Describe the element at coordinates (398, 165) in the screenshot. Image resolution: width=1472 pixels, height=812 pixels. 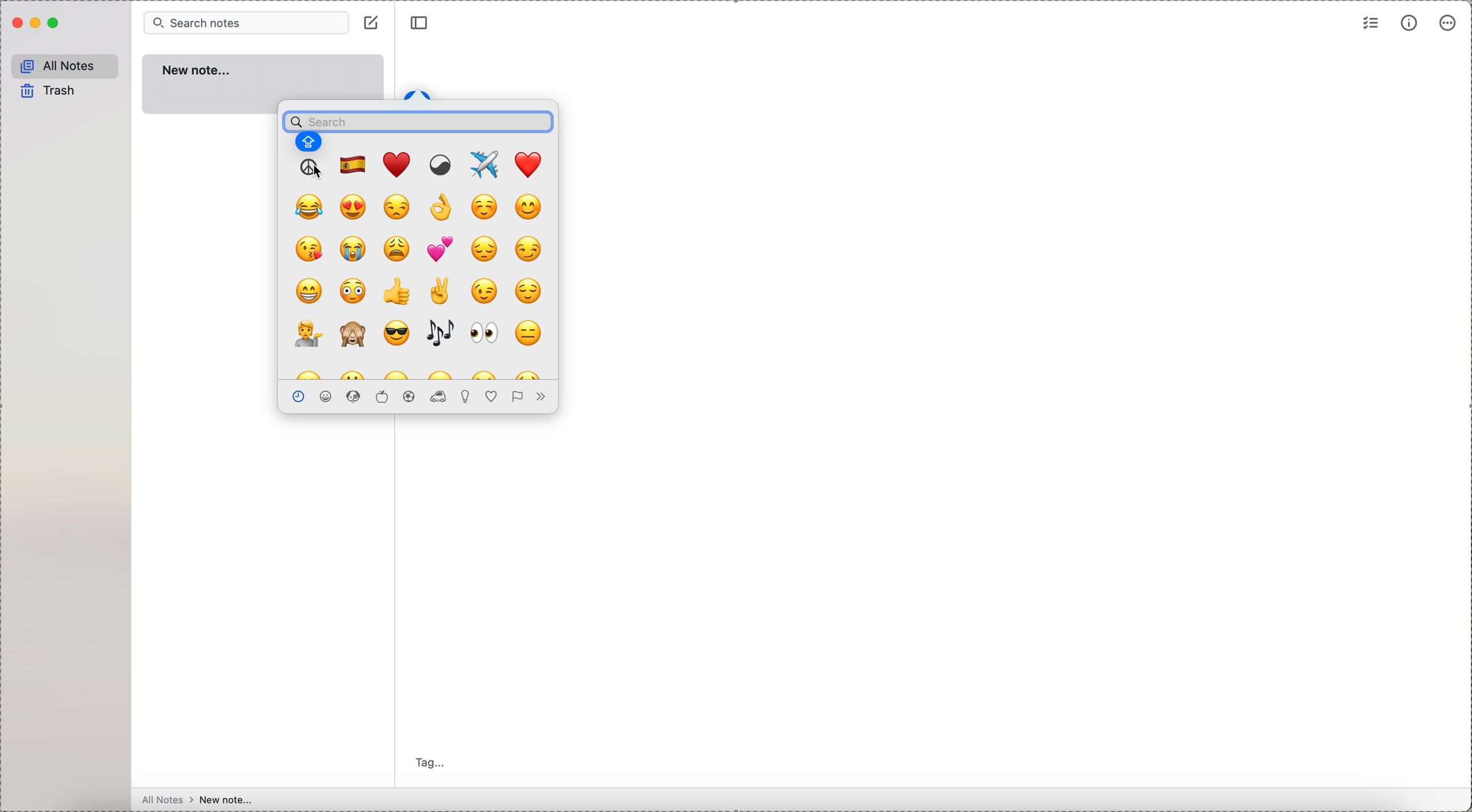
I see `emoji` at that location.